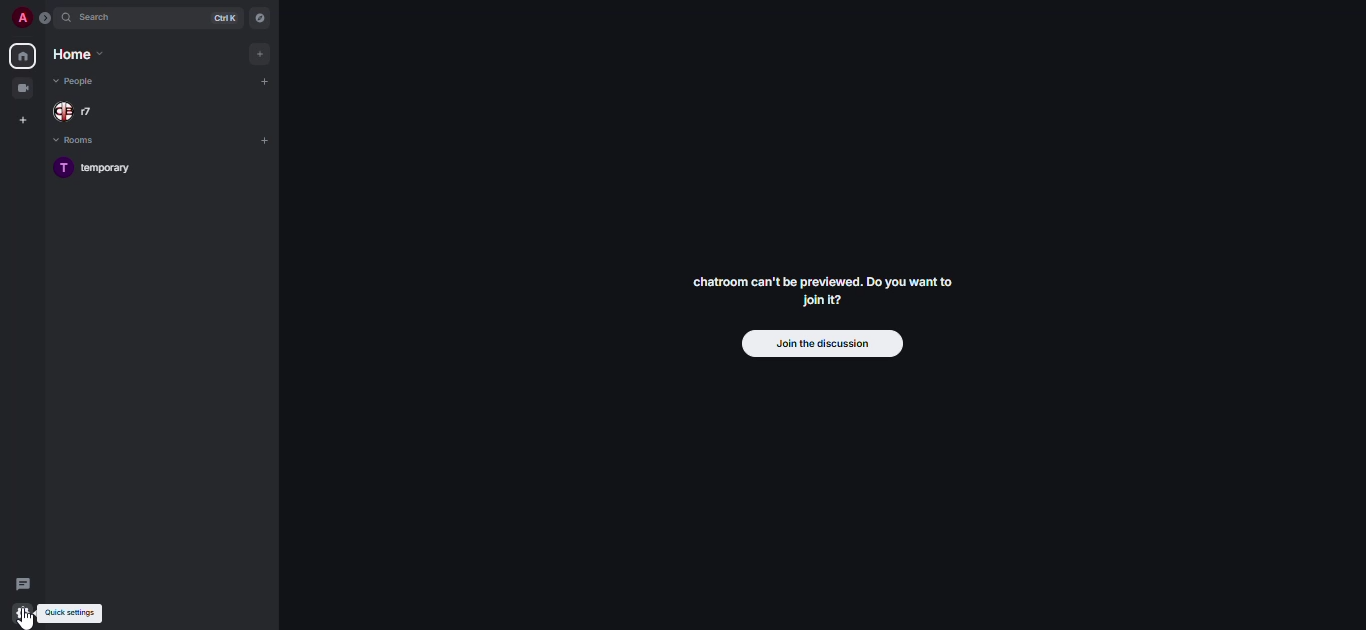  I want to click on navigator, so click(260, 18).